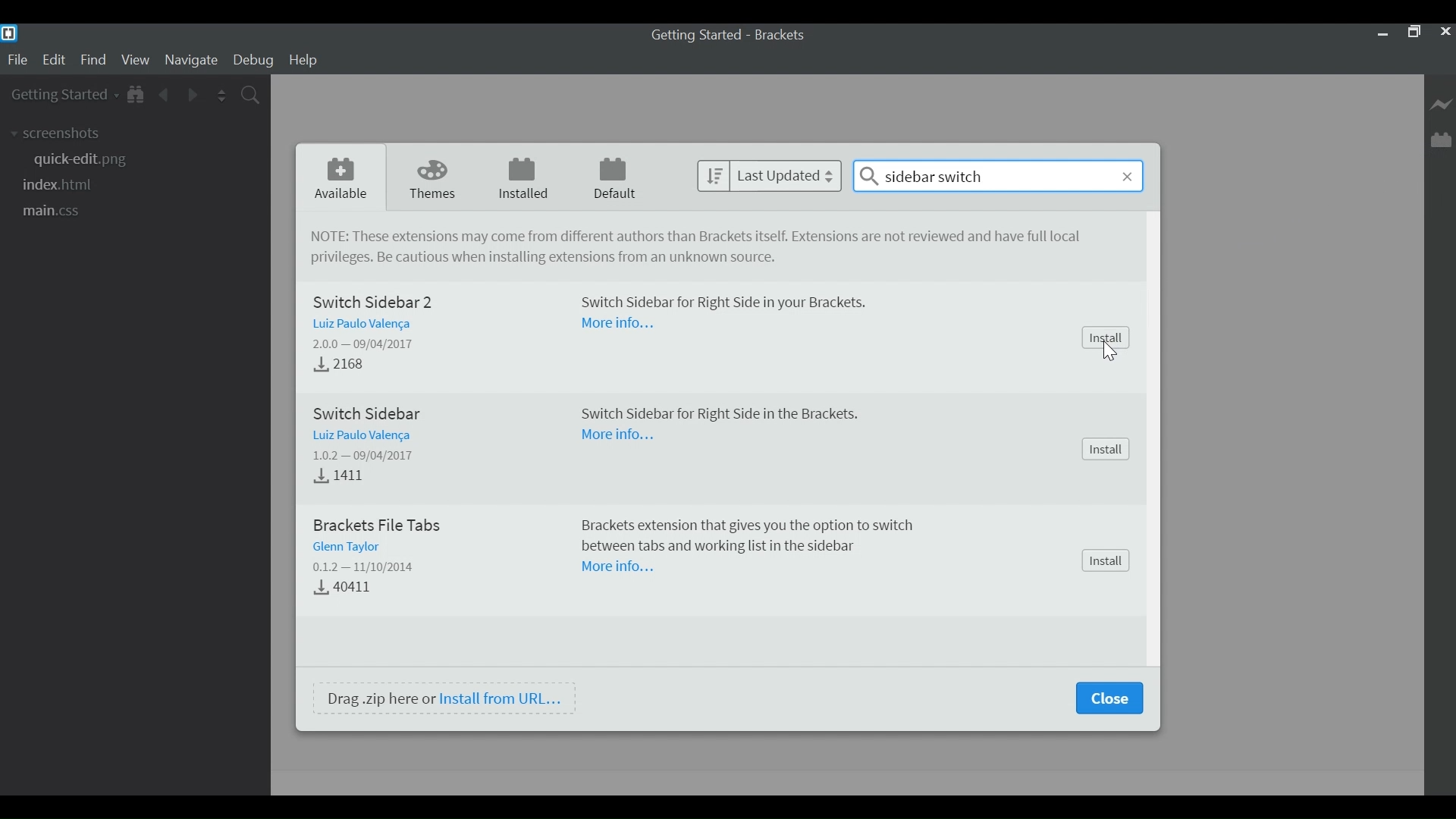  I want to click on Brackets File Tabs, so click(375, 526).